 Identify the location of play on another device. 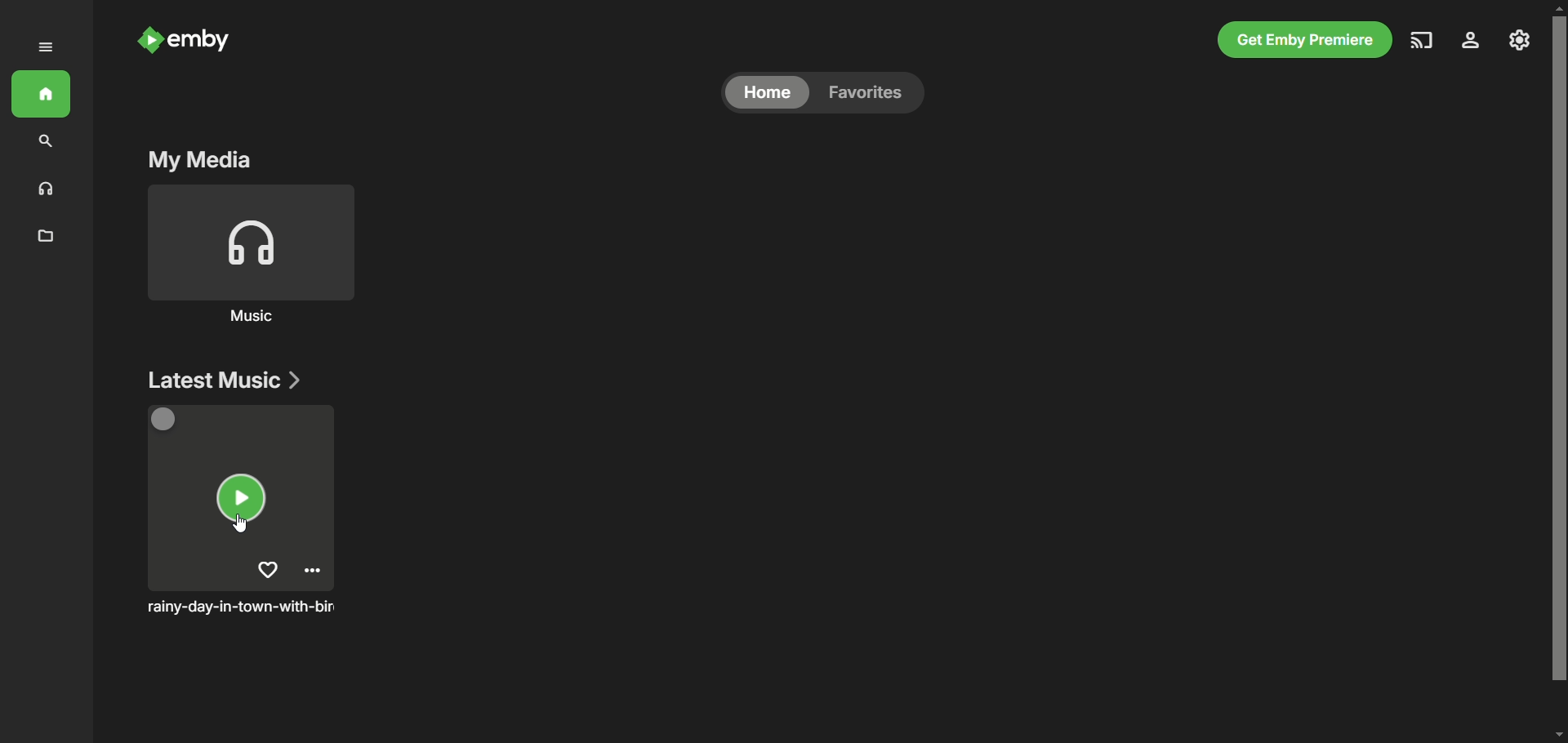
(1423, 43).